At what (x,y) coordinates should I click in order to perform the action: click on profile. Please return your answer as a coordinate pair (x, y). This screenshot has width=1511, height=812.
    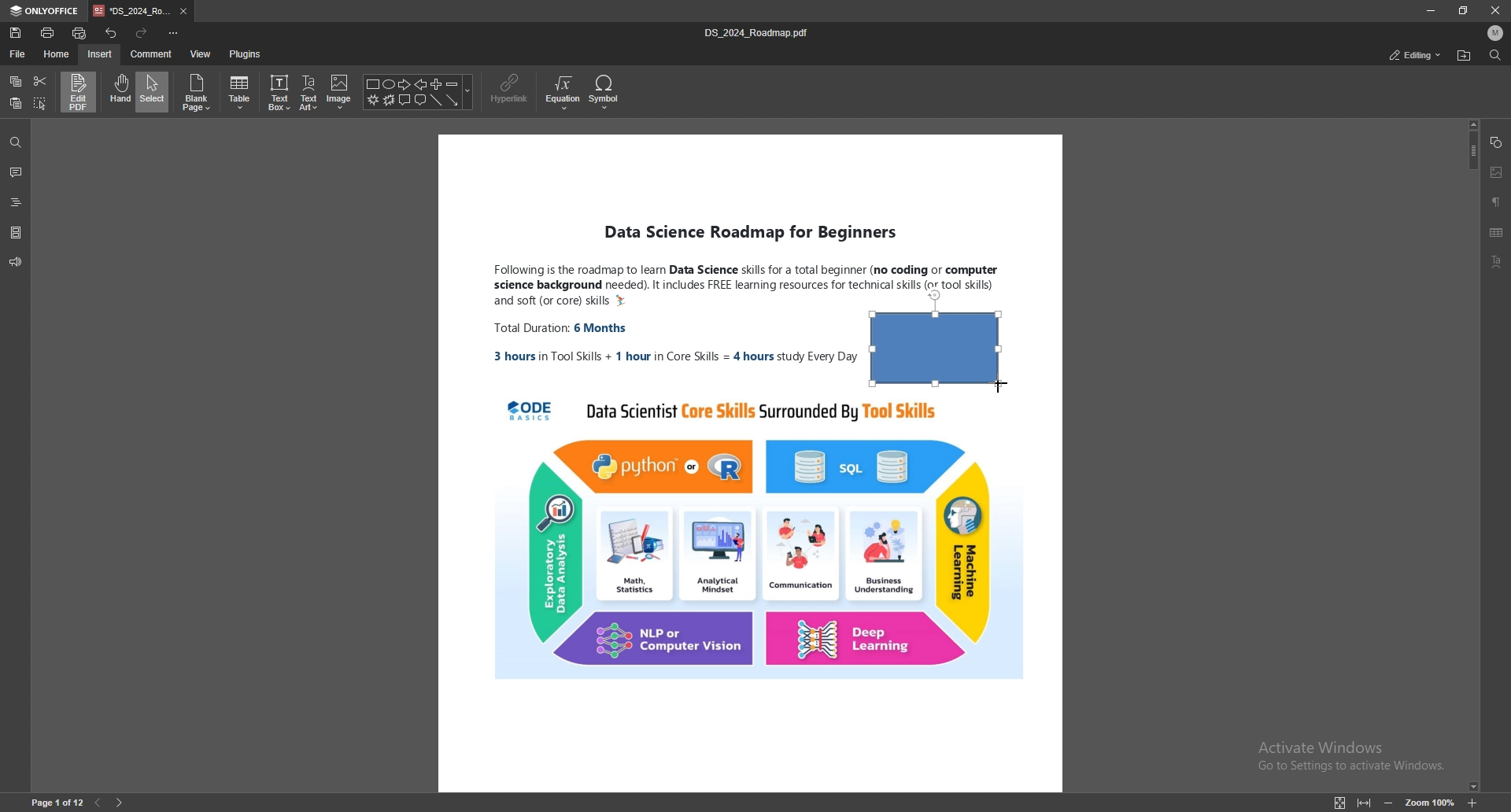
    Looking at the image, I should click on (1496, 33).